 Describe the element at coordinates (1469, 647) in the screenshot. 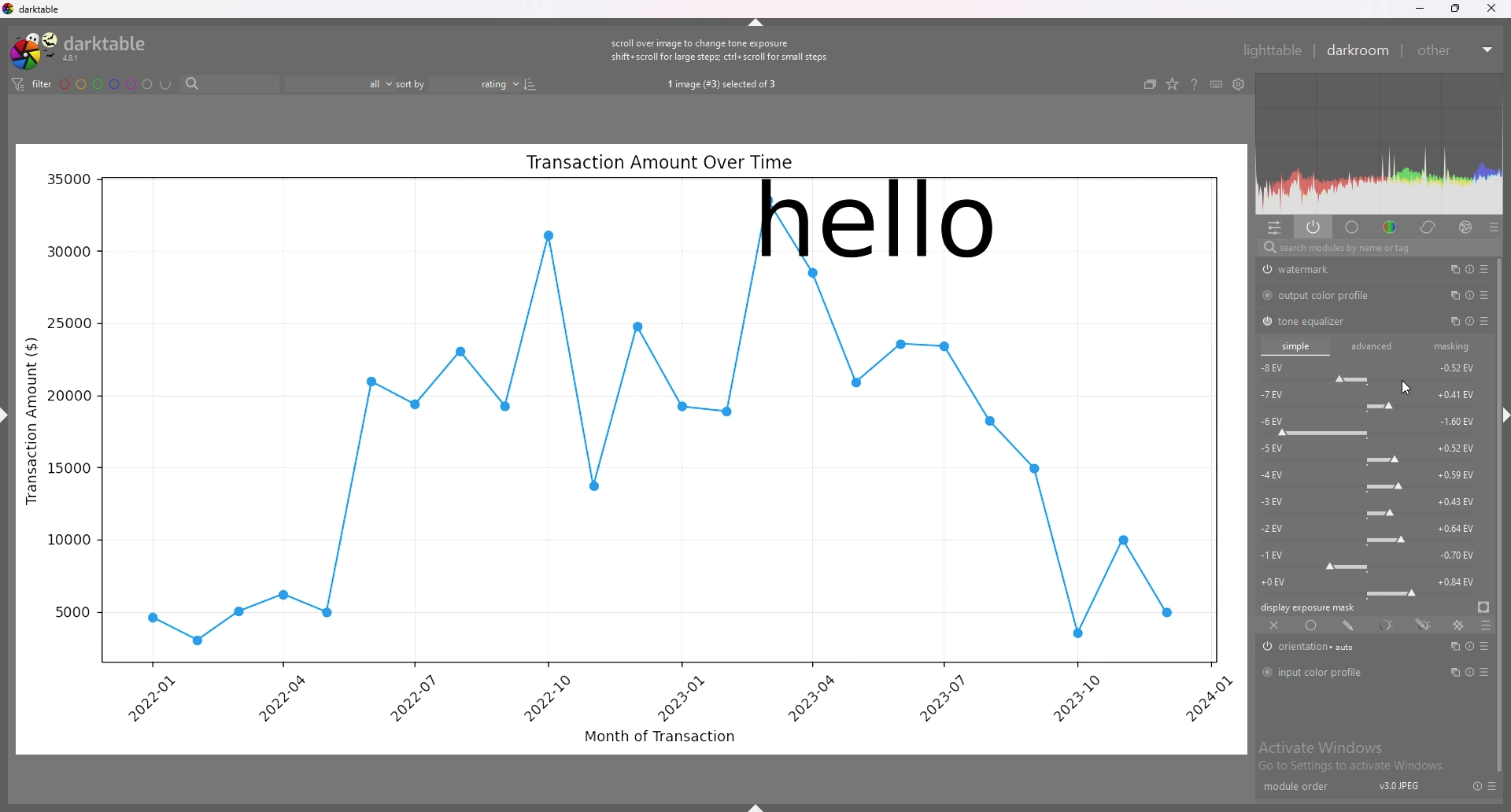

I see `multiple instance actions, reset and presets` at that location.